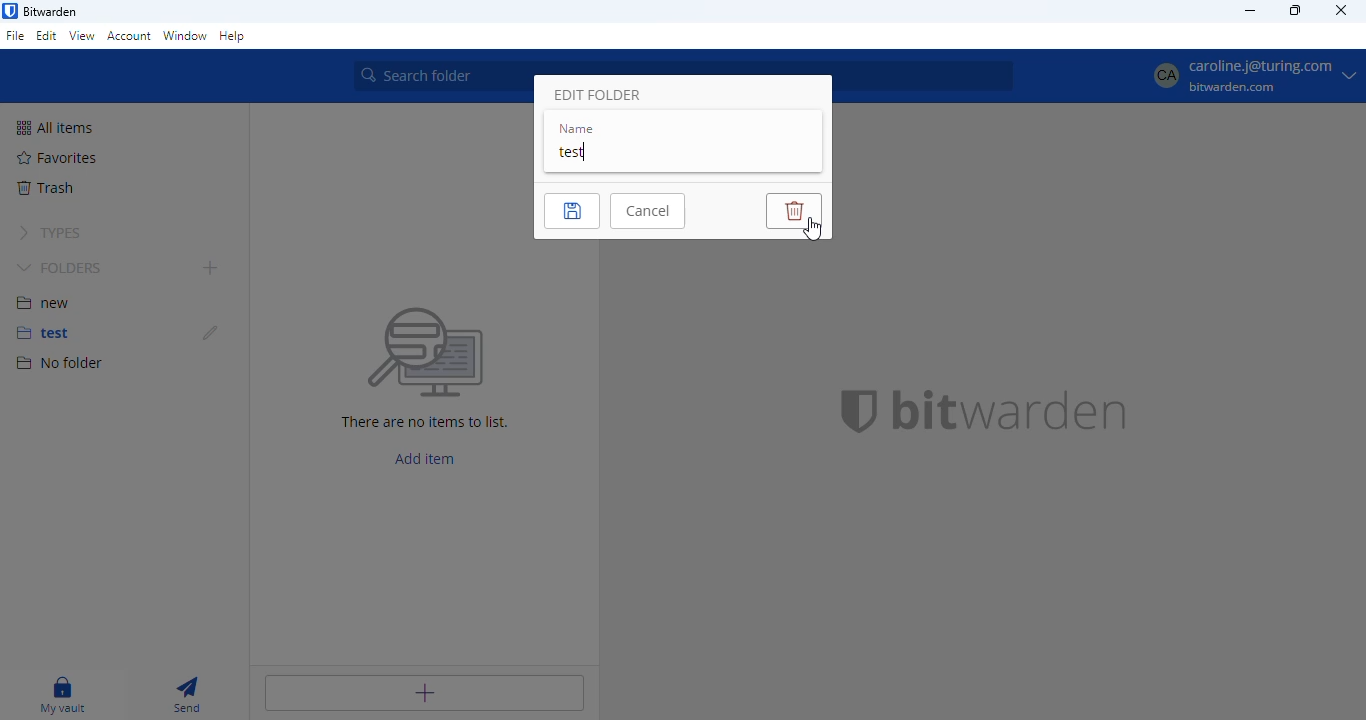  I want to click on save, so click(570, 211).